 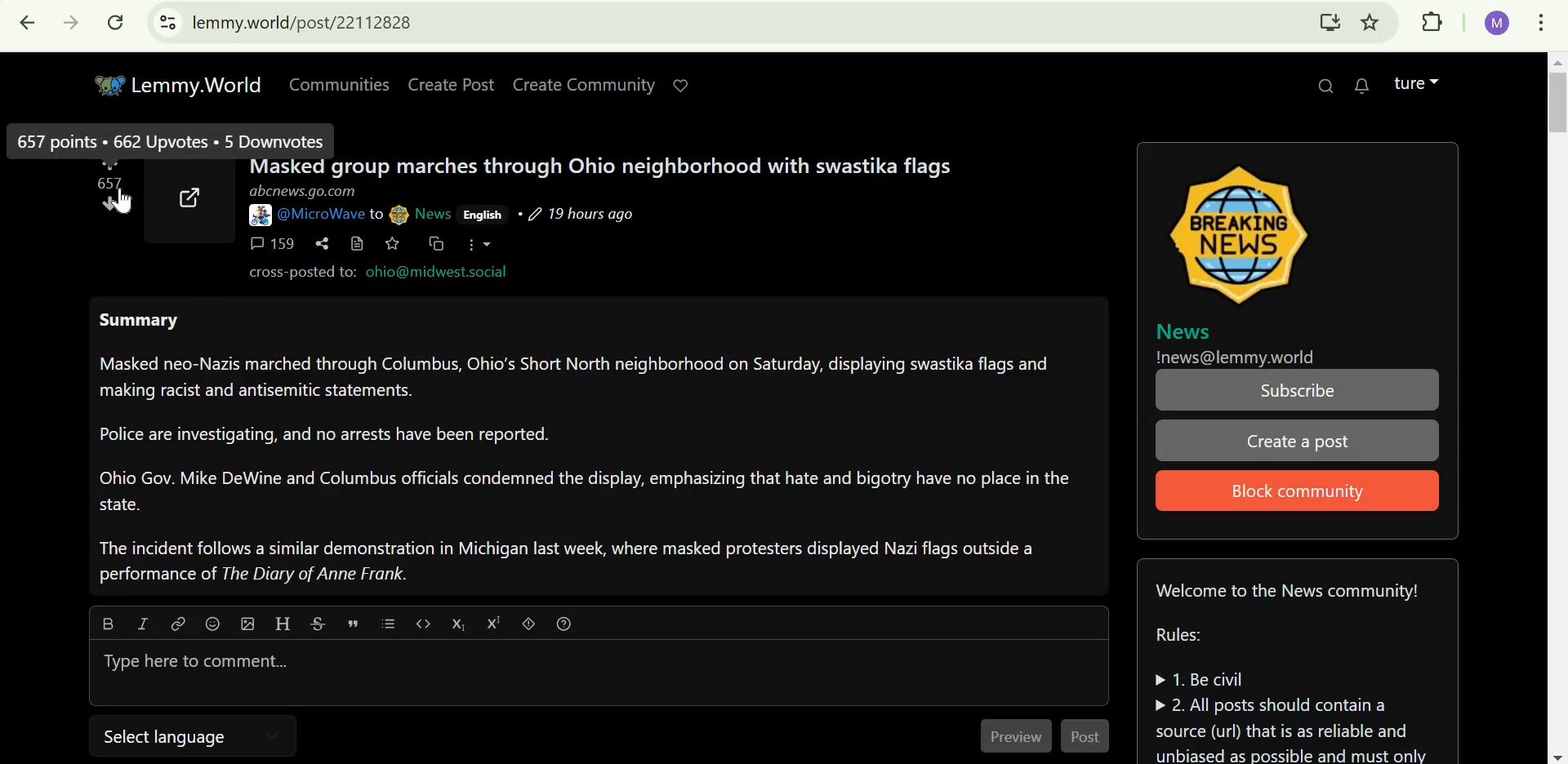 What do you see at coordinates (438, 244) in the screenshot?
I see `cross-post` at bounding box center [438, 244].